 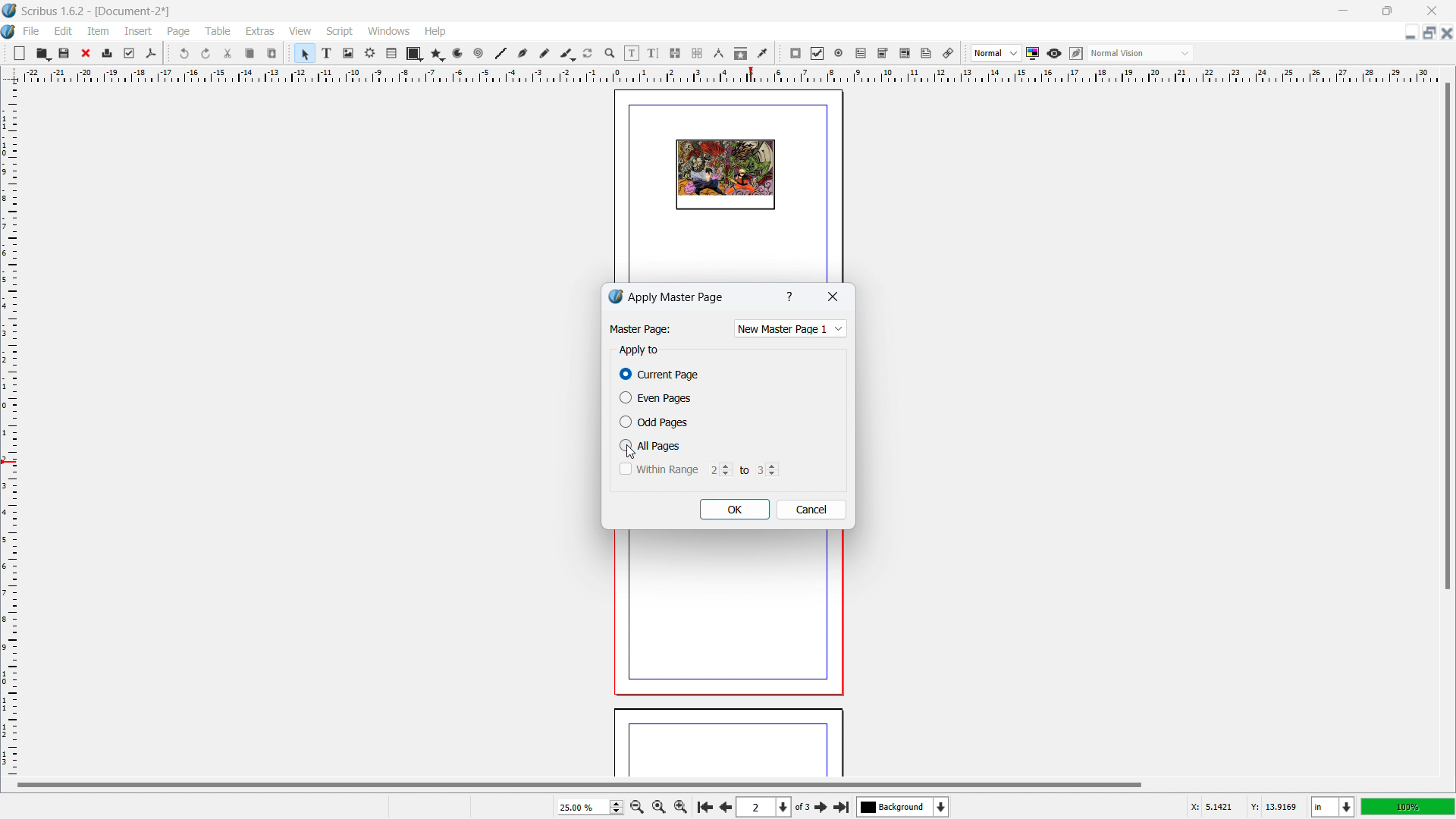 What do you see at coordinates (10, 11) in the screenshot?
I see `logo` at bounding box center [10, 11].